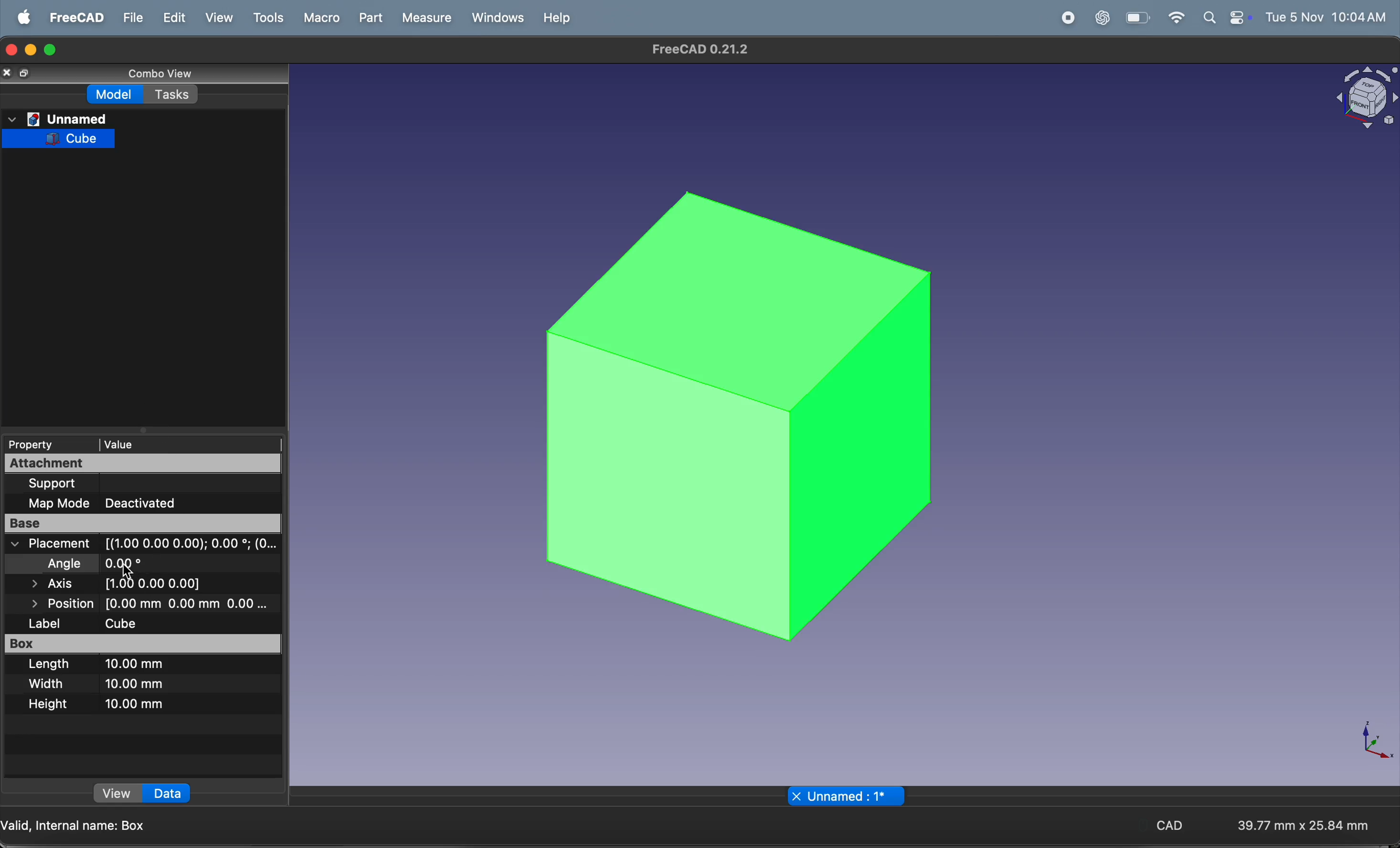 Image resolution: width=1400 pixels, height=848 pixels. What do you see at coordinates (53, 623) in the screenshot?
I see `label` at bounding box center [53, 623].